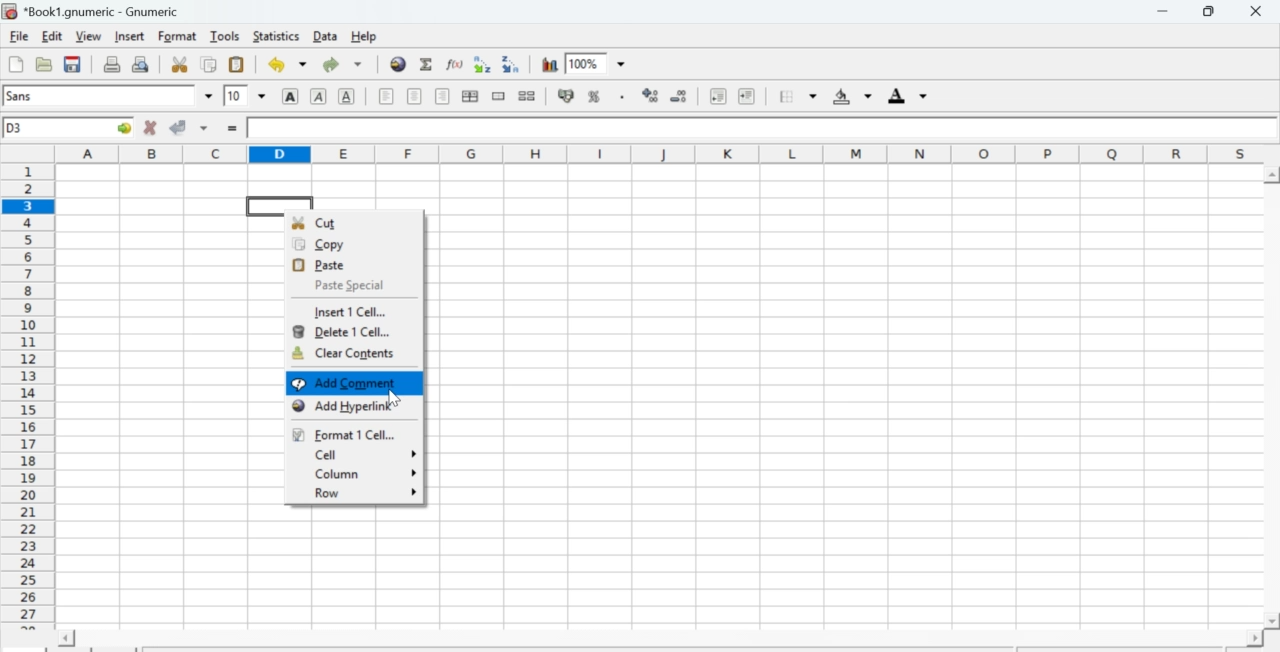 The width and height of the screenshot is (1280, 652). What do you see at coordinates (70, 128) in the screenshot?
I see `Active cell` at bounding box center [70, 128].